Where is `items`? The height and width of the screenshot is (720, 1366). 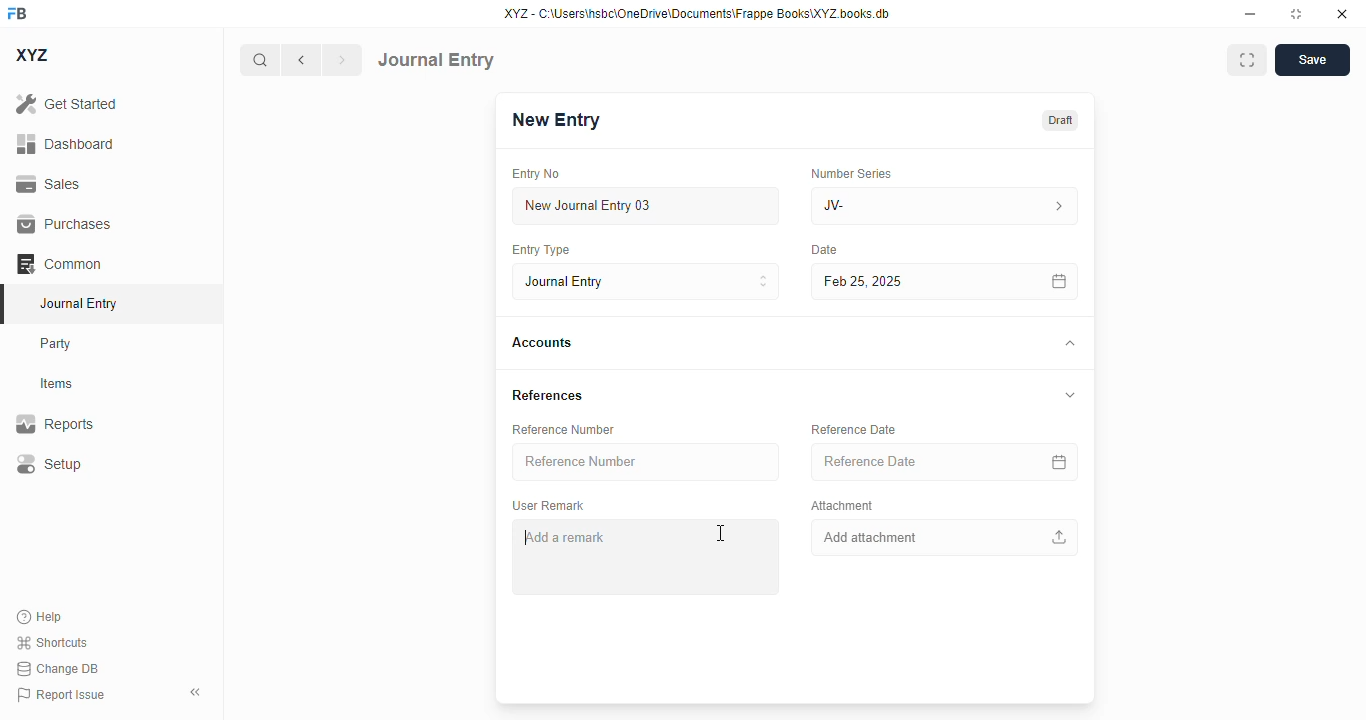
items is located at coordinates (57, 384).